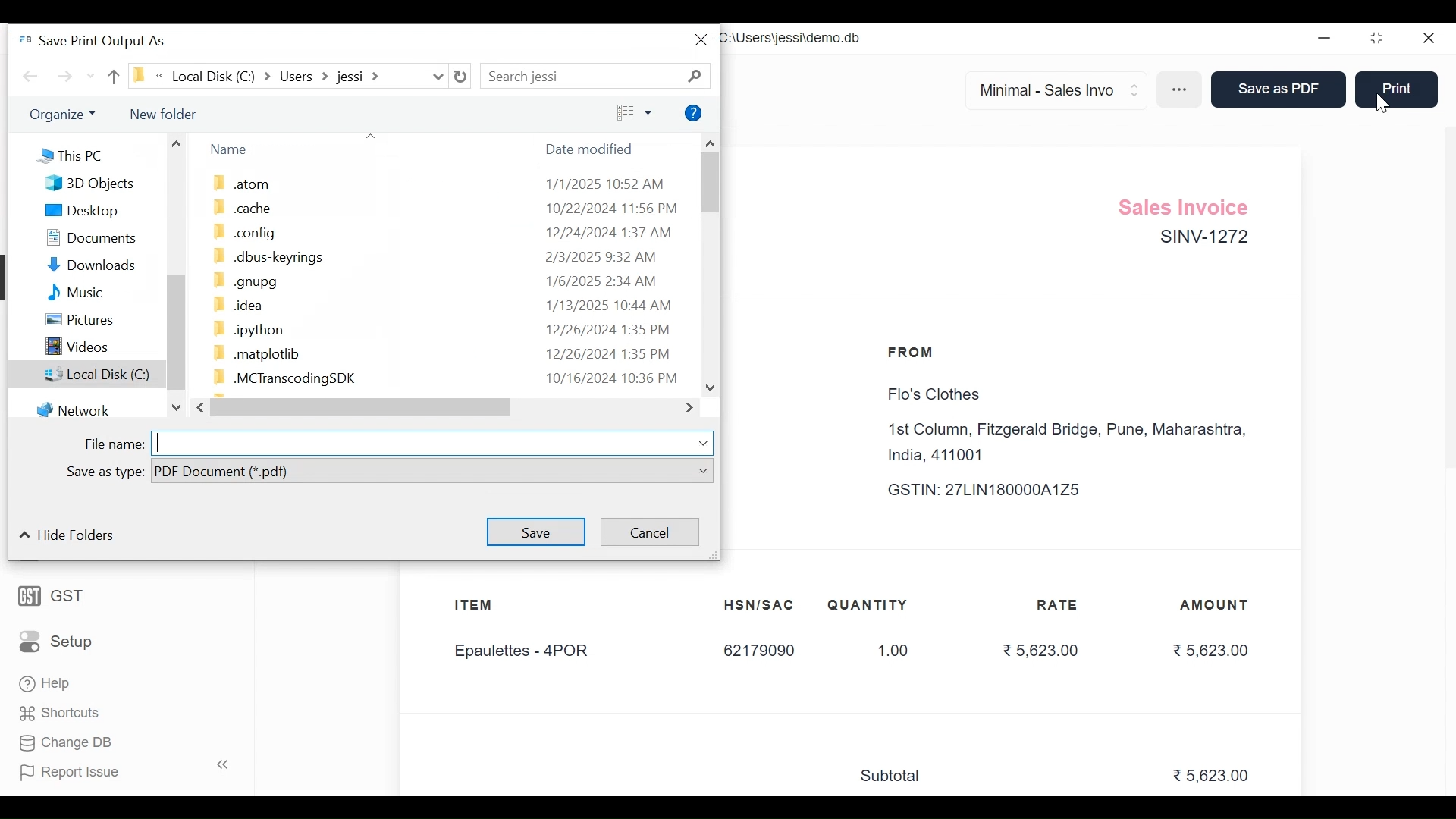  I want to click on Date modified, so click(594, 152).